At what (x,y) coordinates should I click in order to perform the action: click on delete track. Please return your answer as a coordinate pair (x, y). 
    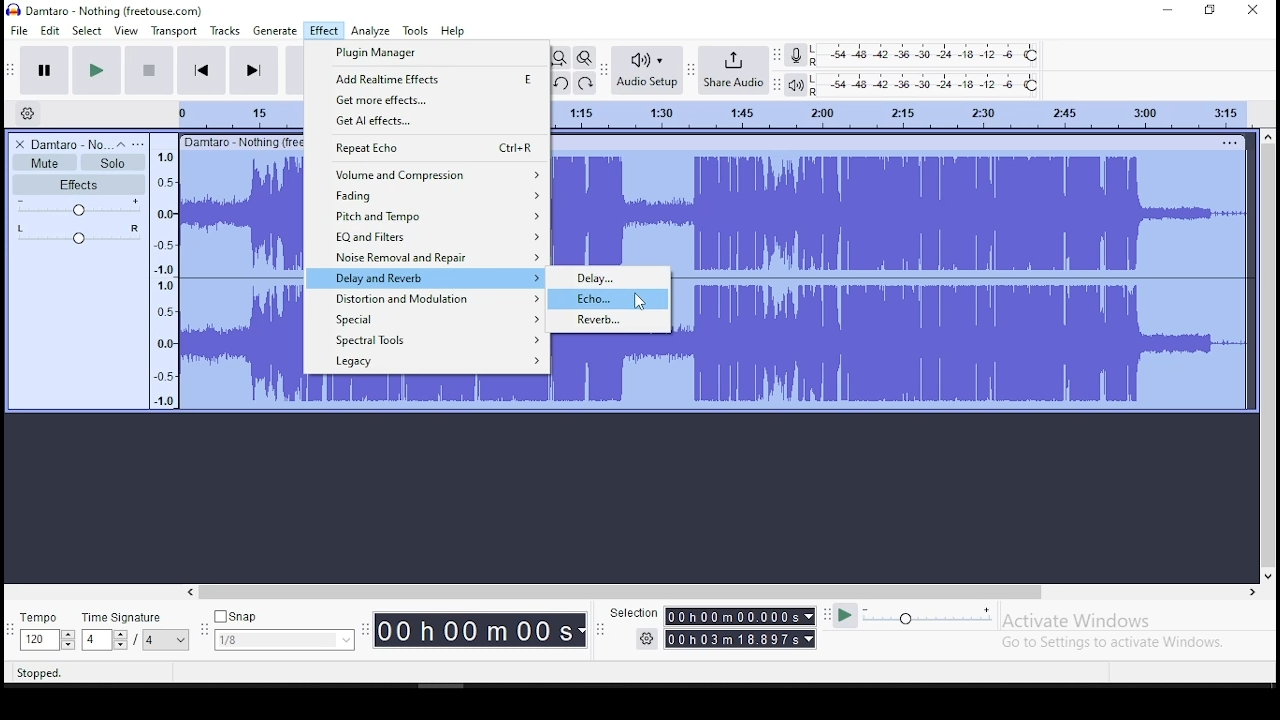
    Looking at the image, I should click on (20, 143).